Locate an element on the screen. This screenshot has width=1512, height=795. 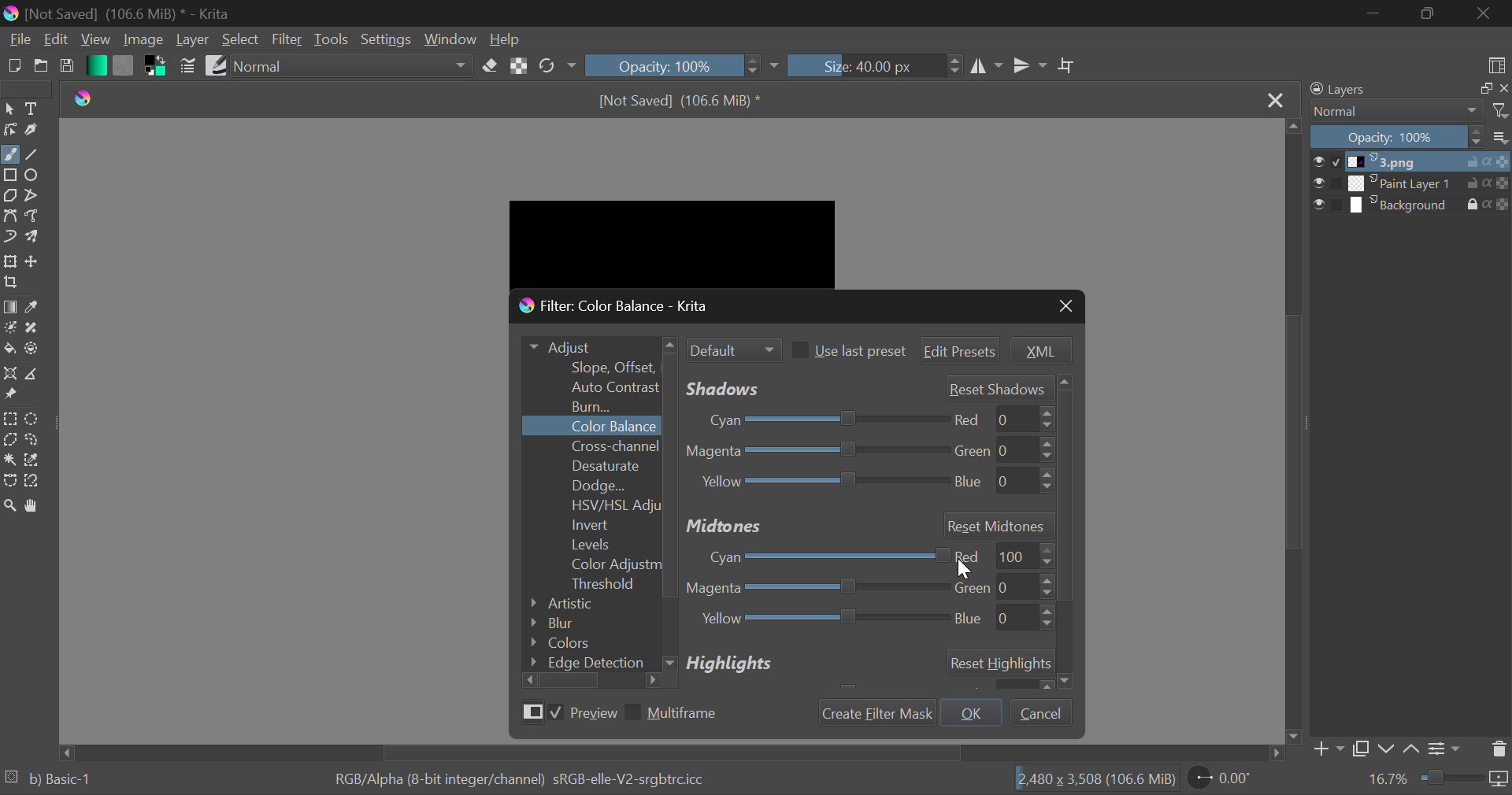
Move Layer is located at coordinates (36, 263).